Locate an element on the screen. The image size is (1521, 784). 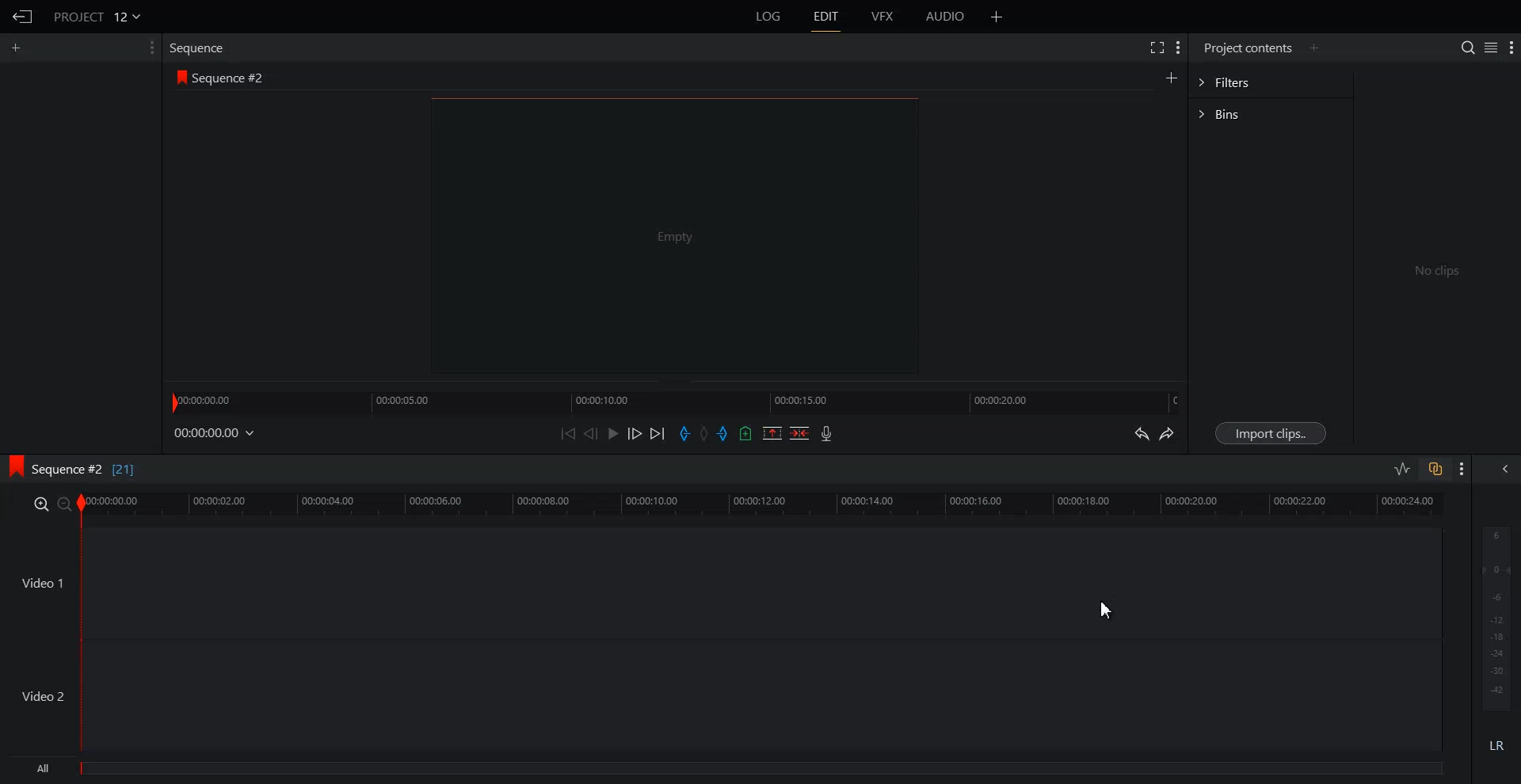
Slider is located at coordinates (676, 401).